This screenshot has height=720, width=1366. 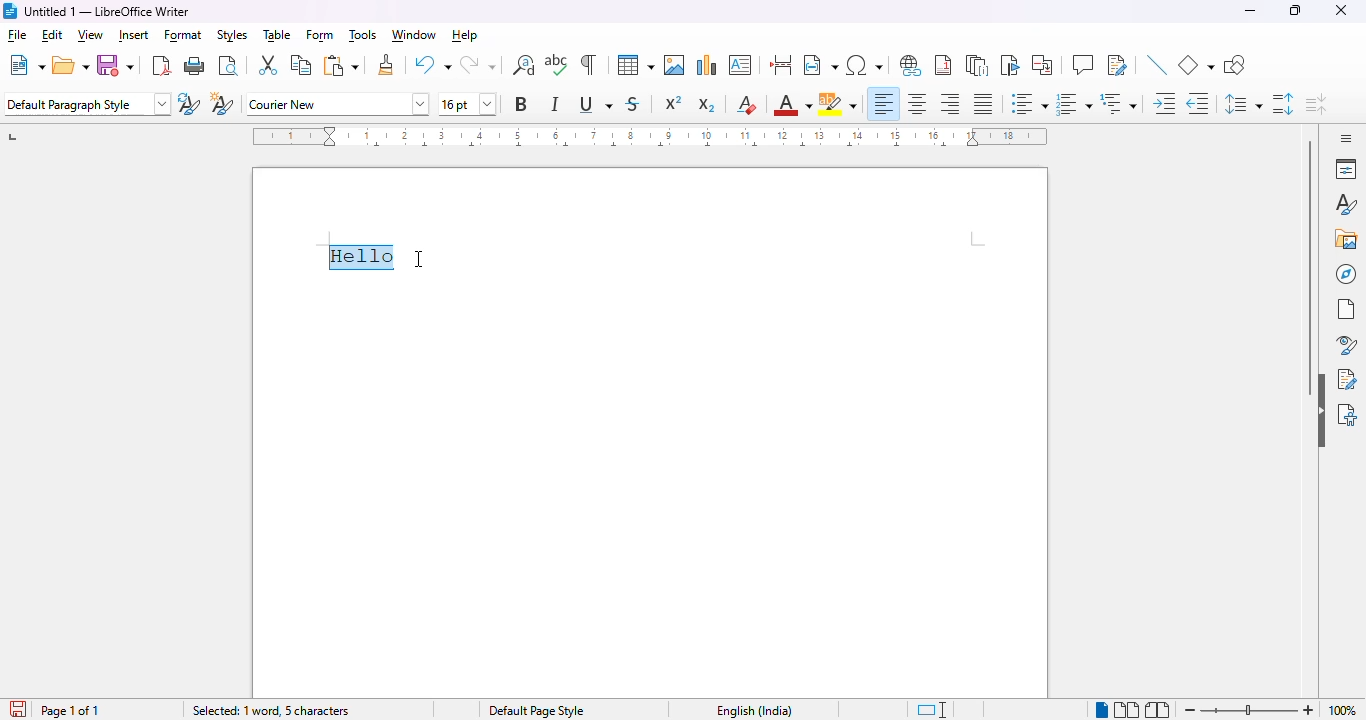 What do you see at coordinates (1156, 64) in the screenshot?
I see `insert line` at bounding box center [1156, 64].